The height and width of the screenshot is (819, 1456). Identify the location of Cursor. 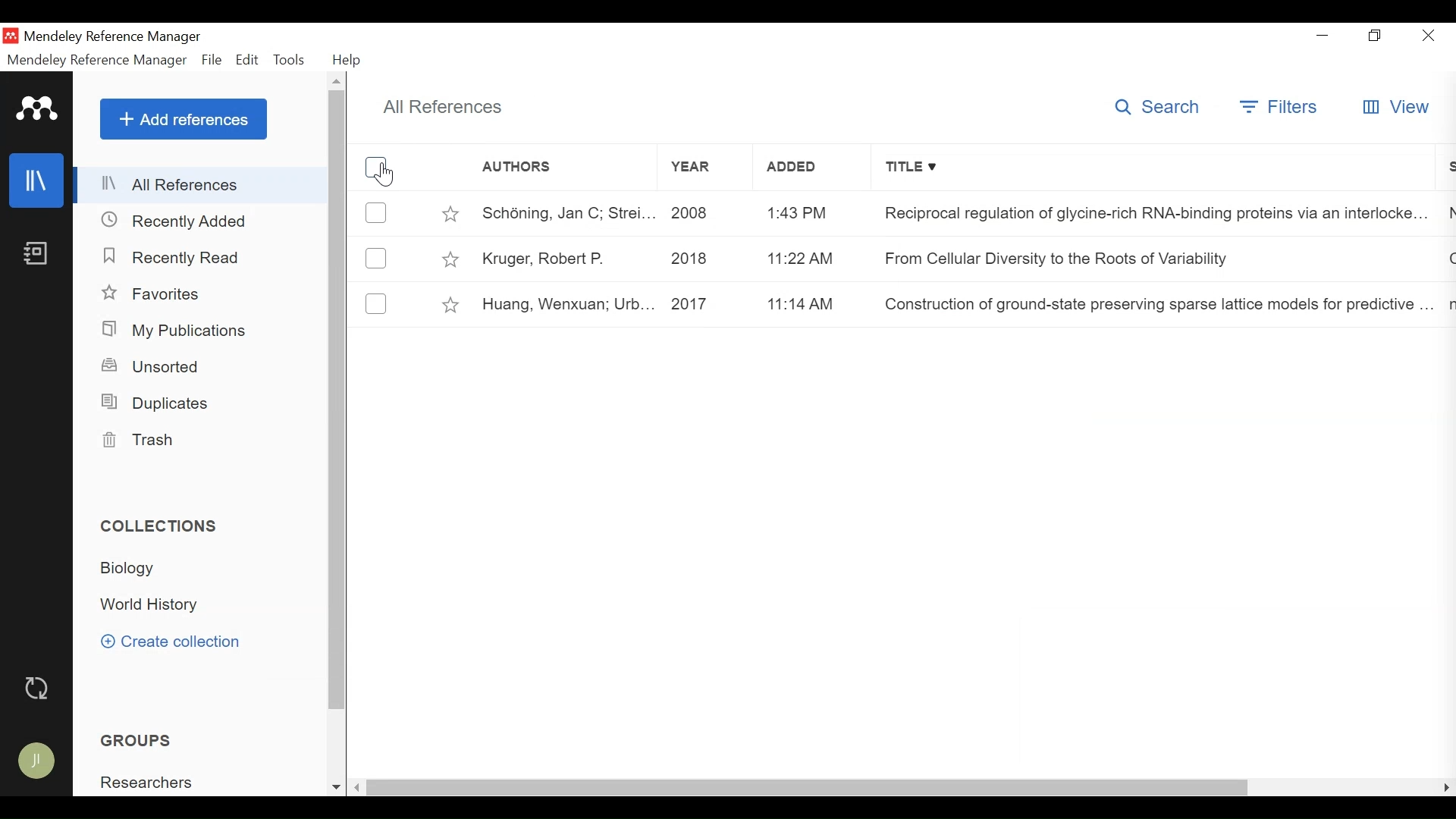
(384, 174).